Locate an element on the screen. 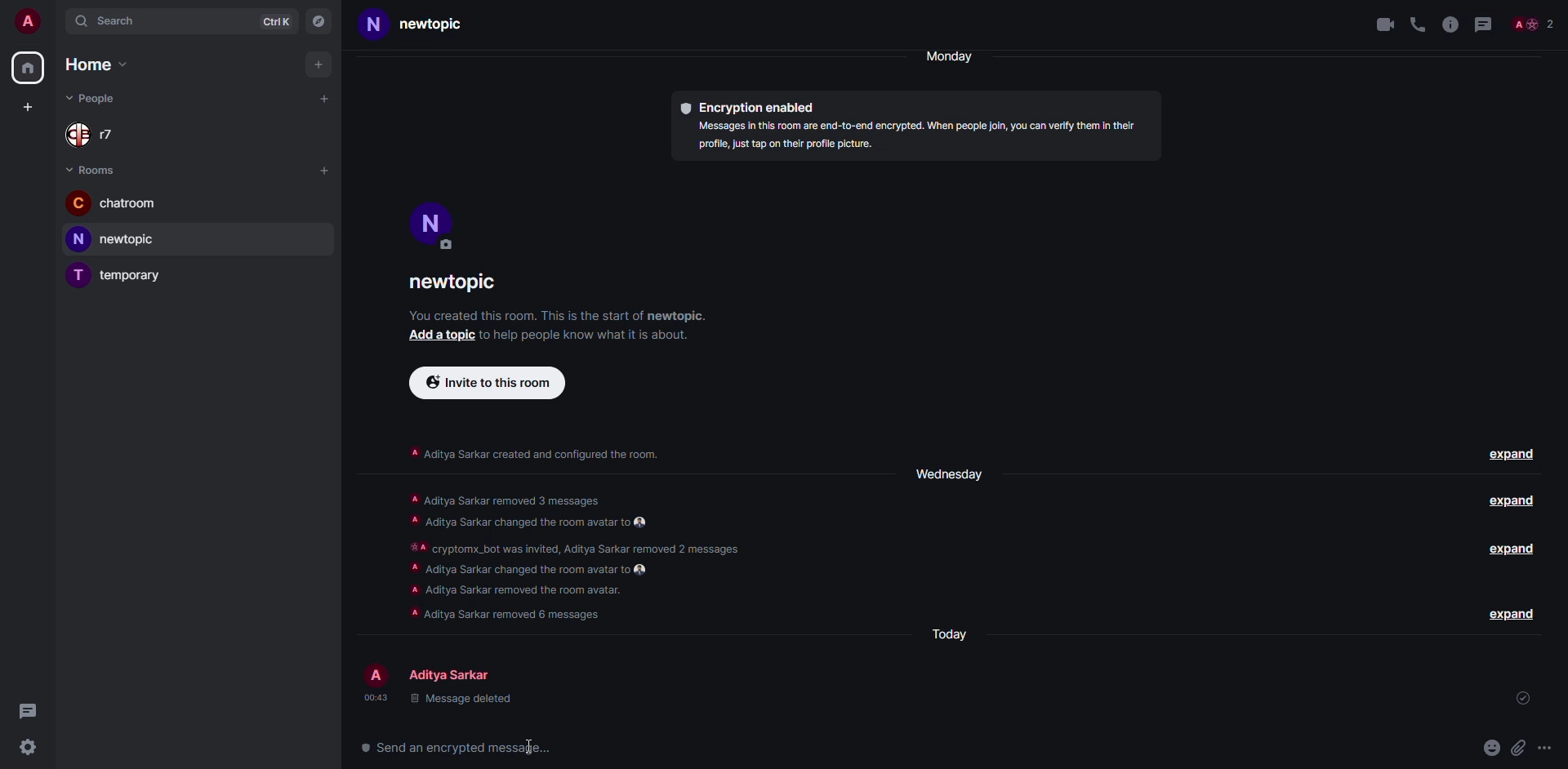 The width and height of the screenshot is (1568, 769). room is located at coordinates (458, 285).